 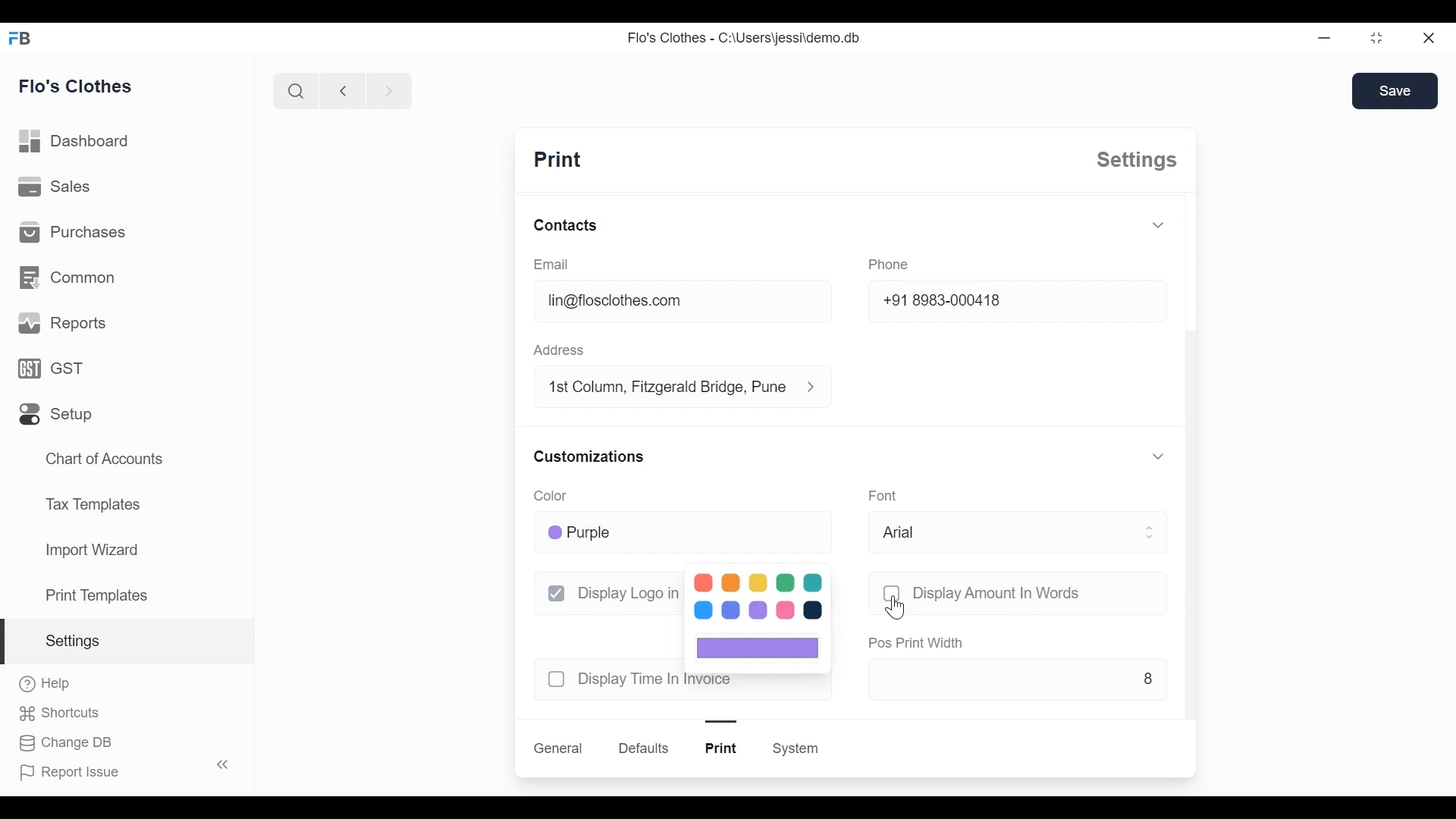 What do you see at coordinates (21, 37) in the screenshot?
I see `FB` at bounding box center [21, 37].